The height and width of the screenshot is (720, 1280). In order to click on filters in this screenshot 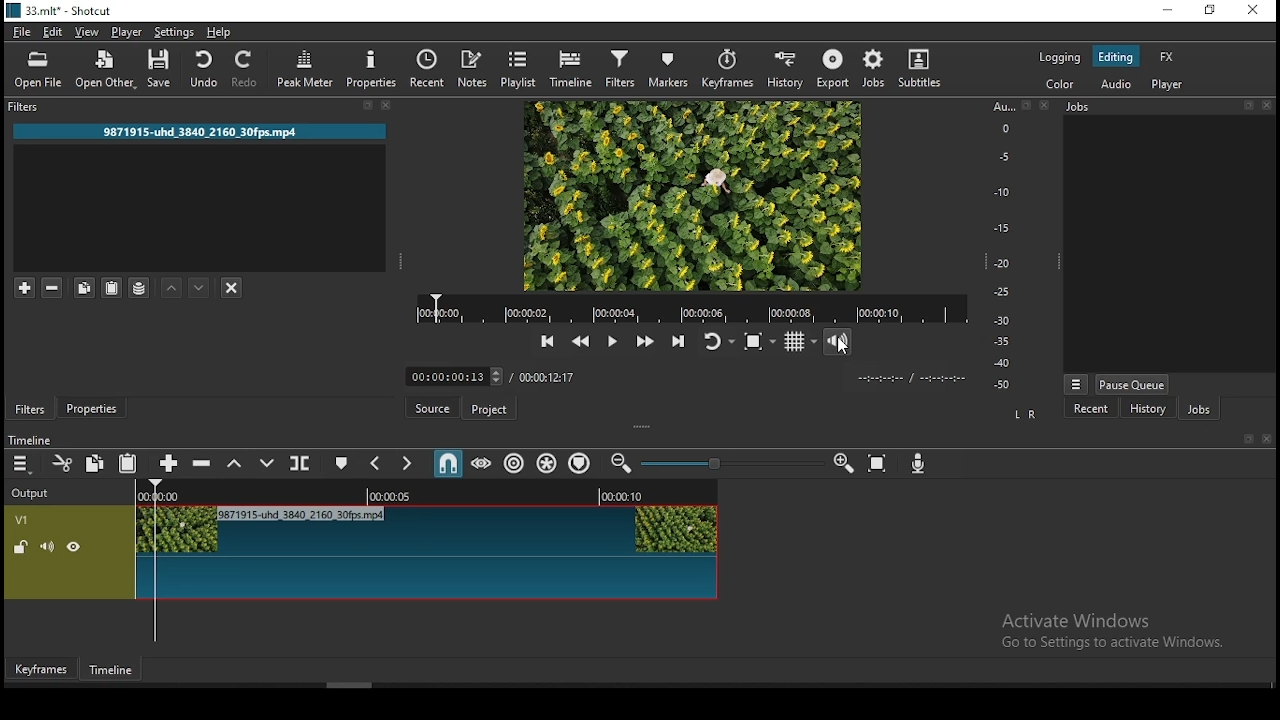, I will do `click(27, 409)`.